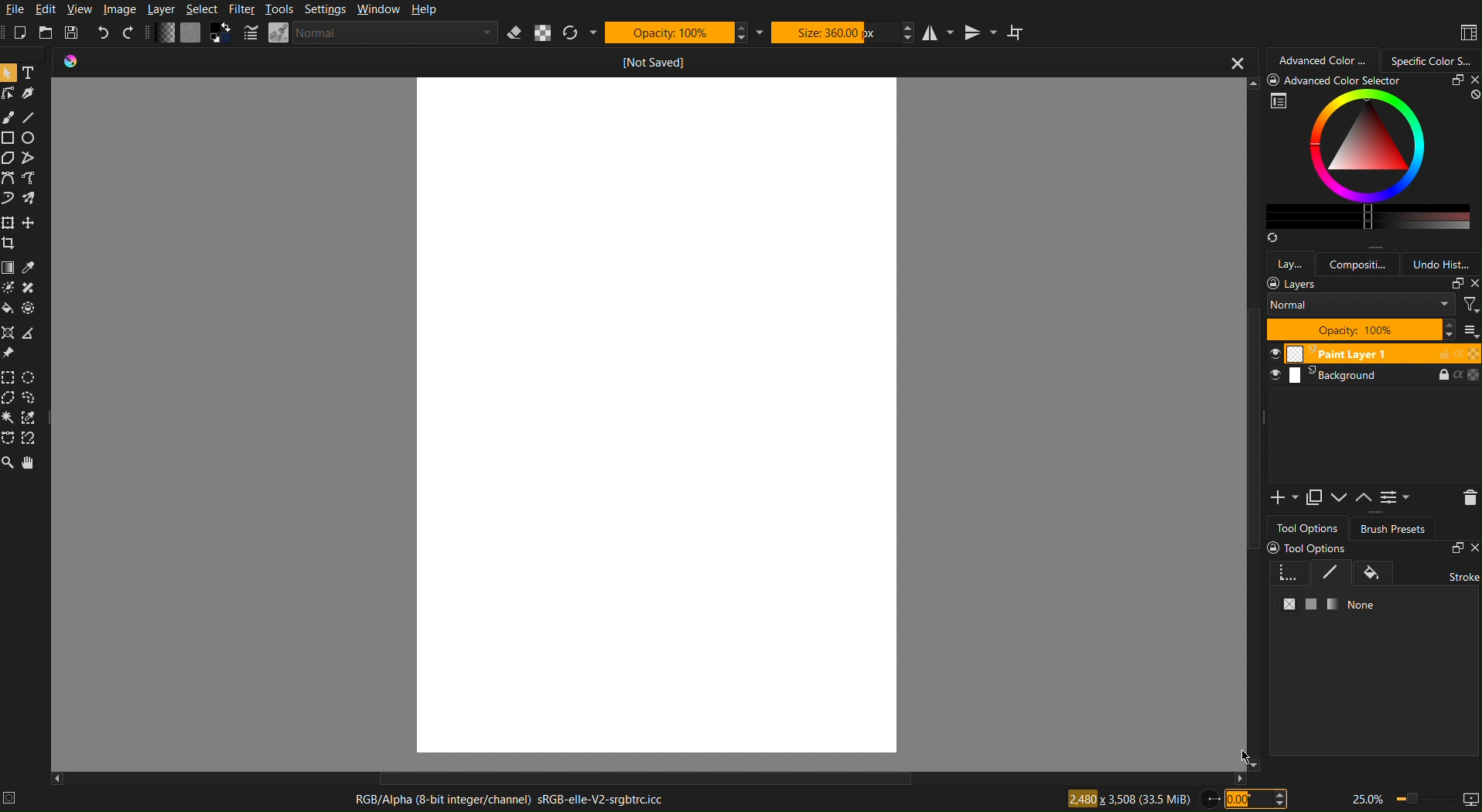 The width and height of the screenshot is (1482, 812). Describe the element at coordinates (1372, 159) in the screenshot. I see `Advanced Color Selector` at that location.